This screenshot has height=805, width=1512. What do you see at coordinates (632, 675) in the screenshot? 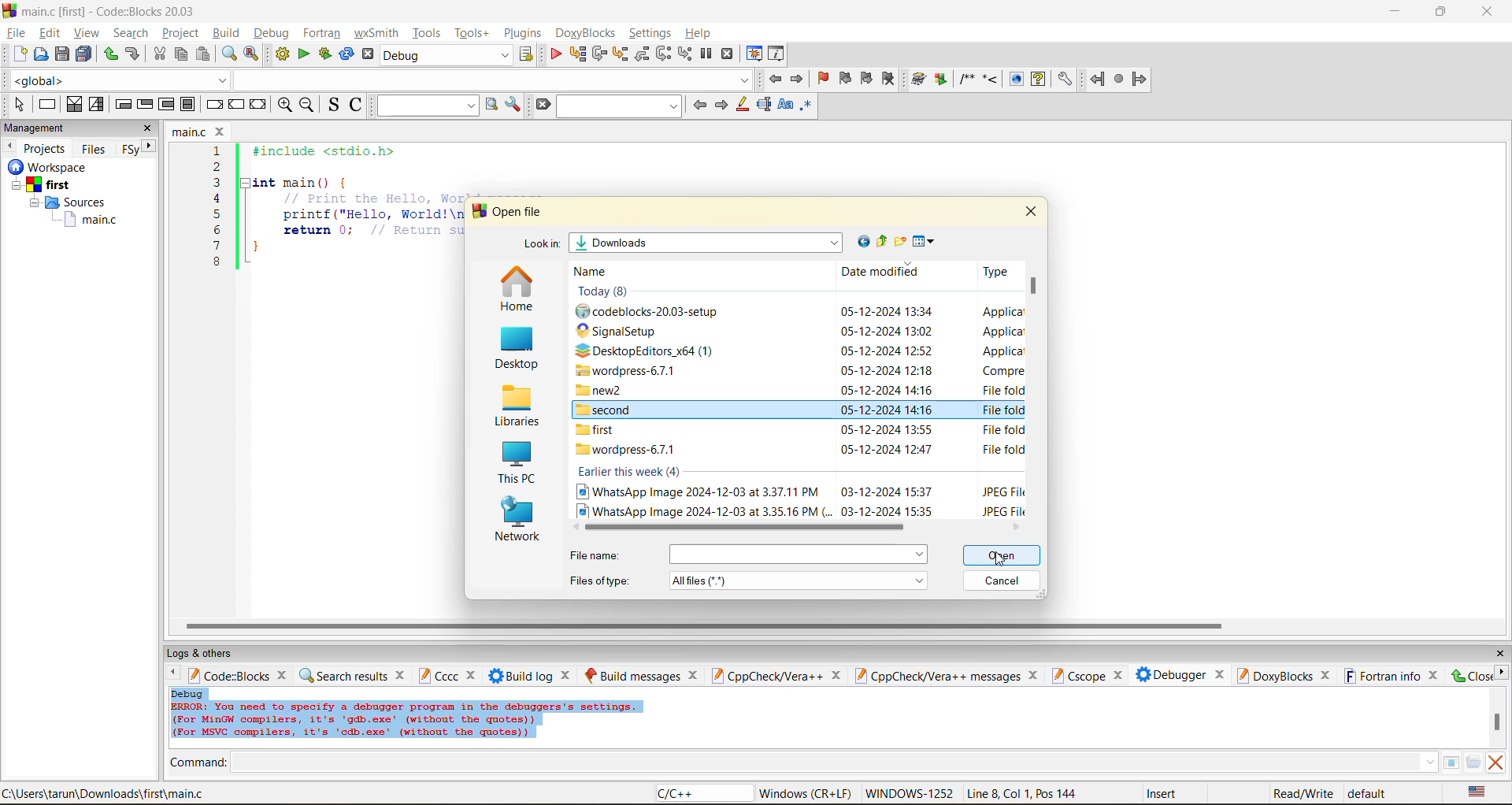
I see `build messages` at bounding box center [632, 675].